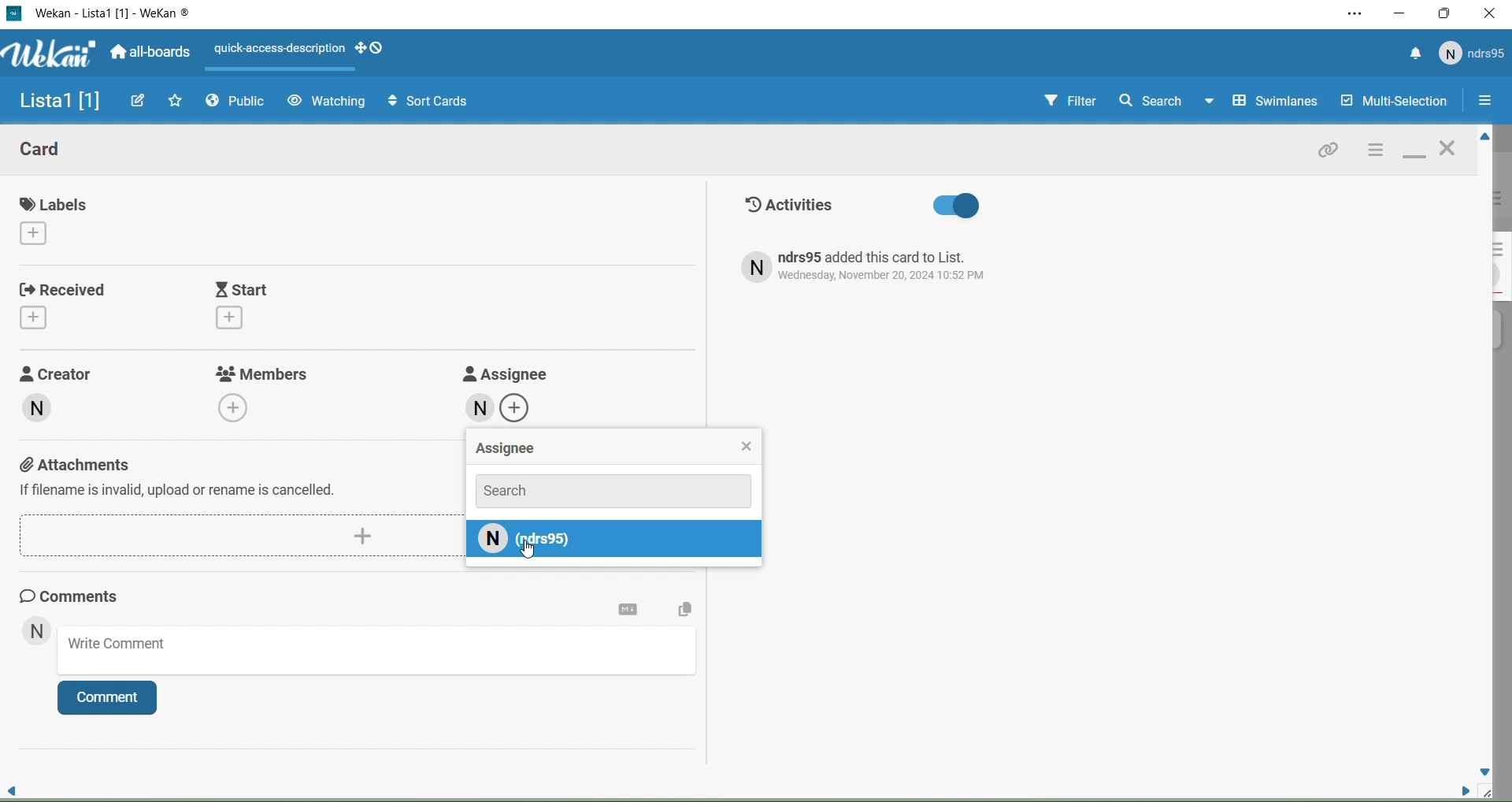 Image resolution: width=1512 pixels, height=802 pixels. Describe the element at coordinates (284, 306) in the screenshot. I see `Start` at that location.